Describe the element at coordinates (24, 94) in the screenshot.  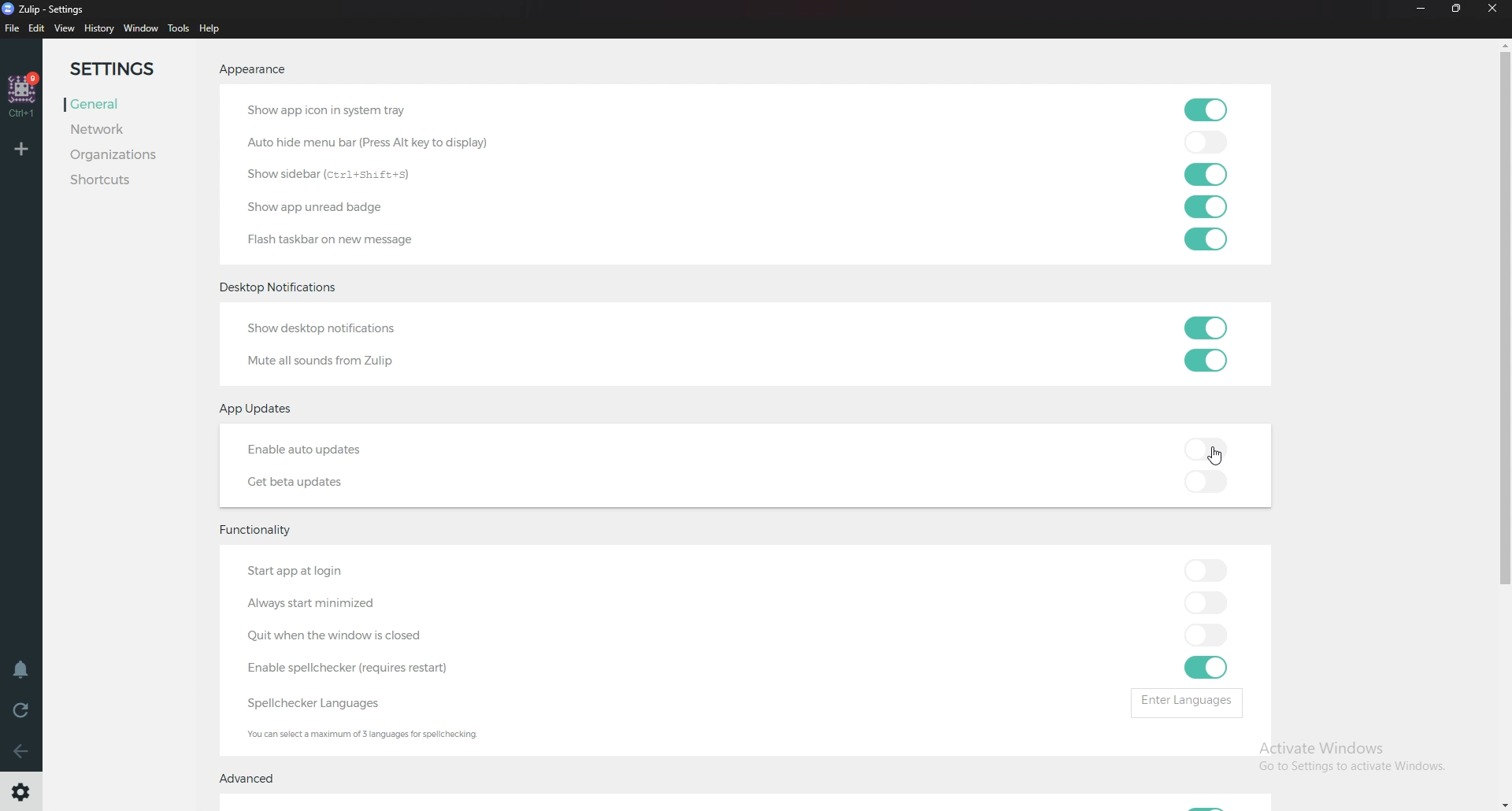
I see `Home` at that location.